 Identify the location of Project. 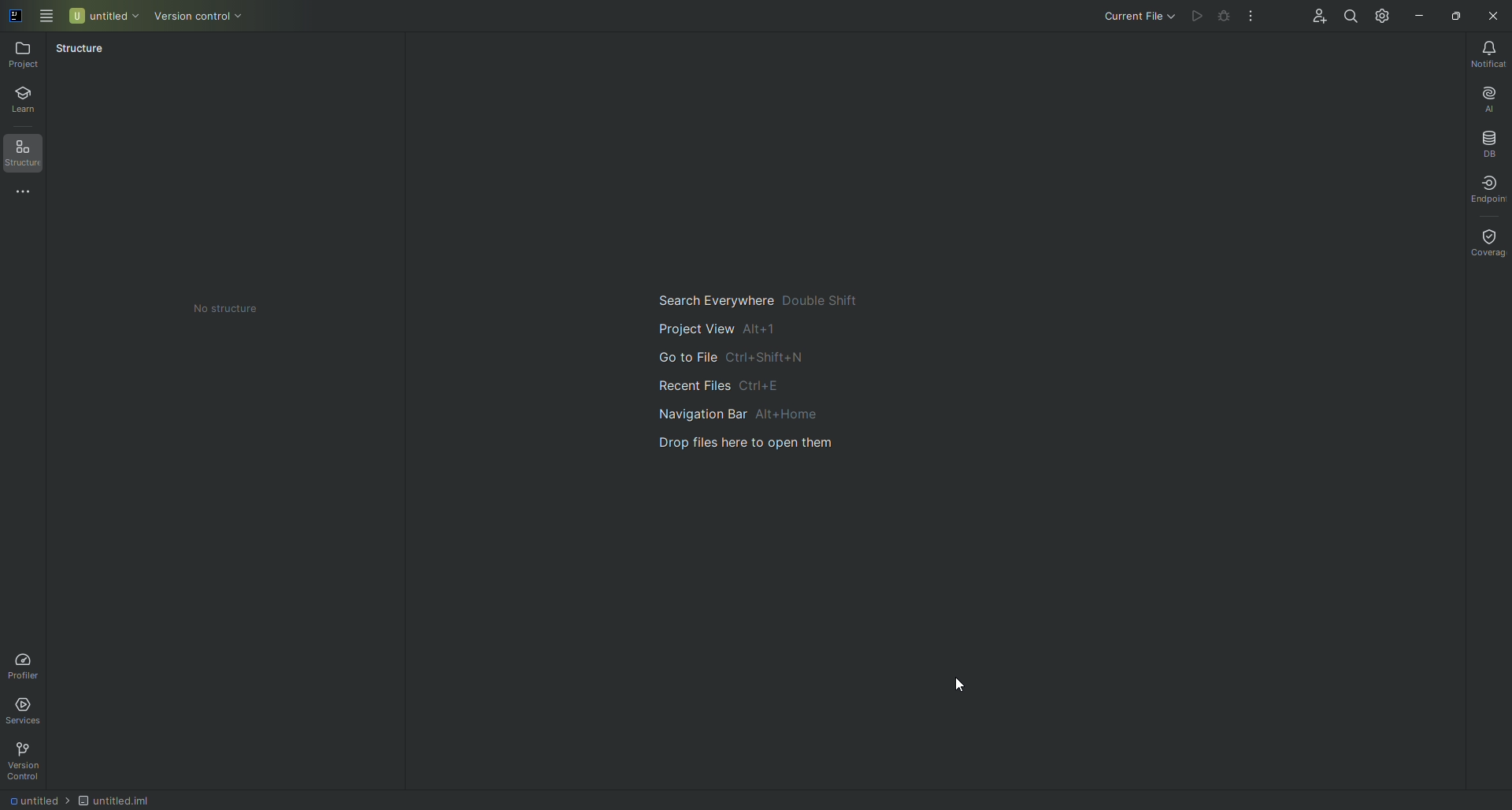
(23, 57).